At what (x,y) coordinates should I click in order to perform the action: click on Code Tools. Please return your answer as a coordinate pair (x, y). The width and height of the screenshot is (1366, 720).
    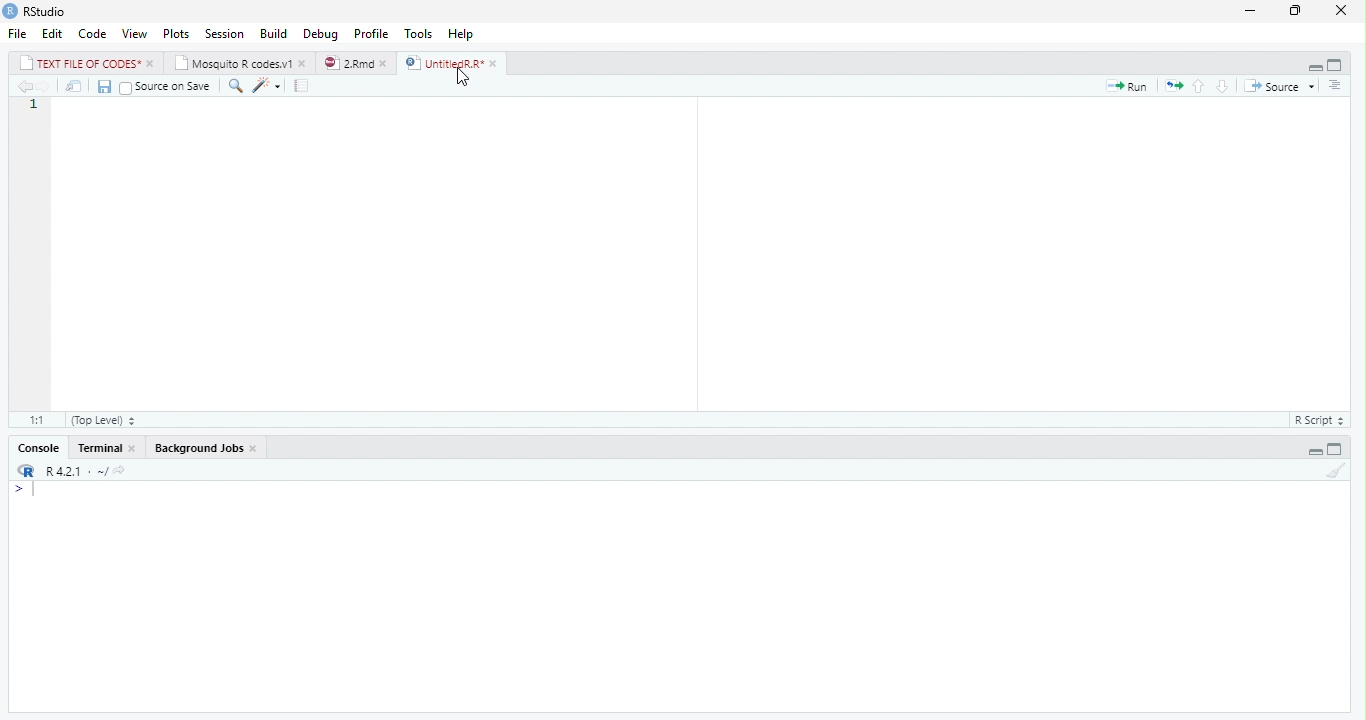
    Looking at the image, I should click on (268, 87).